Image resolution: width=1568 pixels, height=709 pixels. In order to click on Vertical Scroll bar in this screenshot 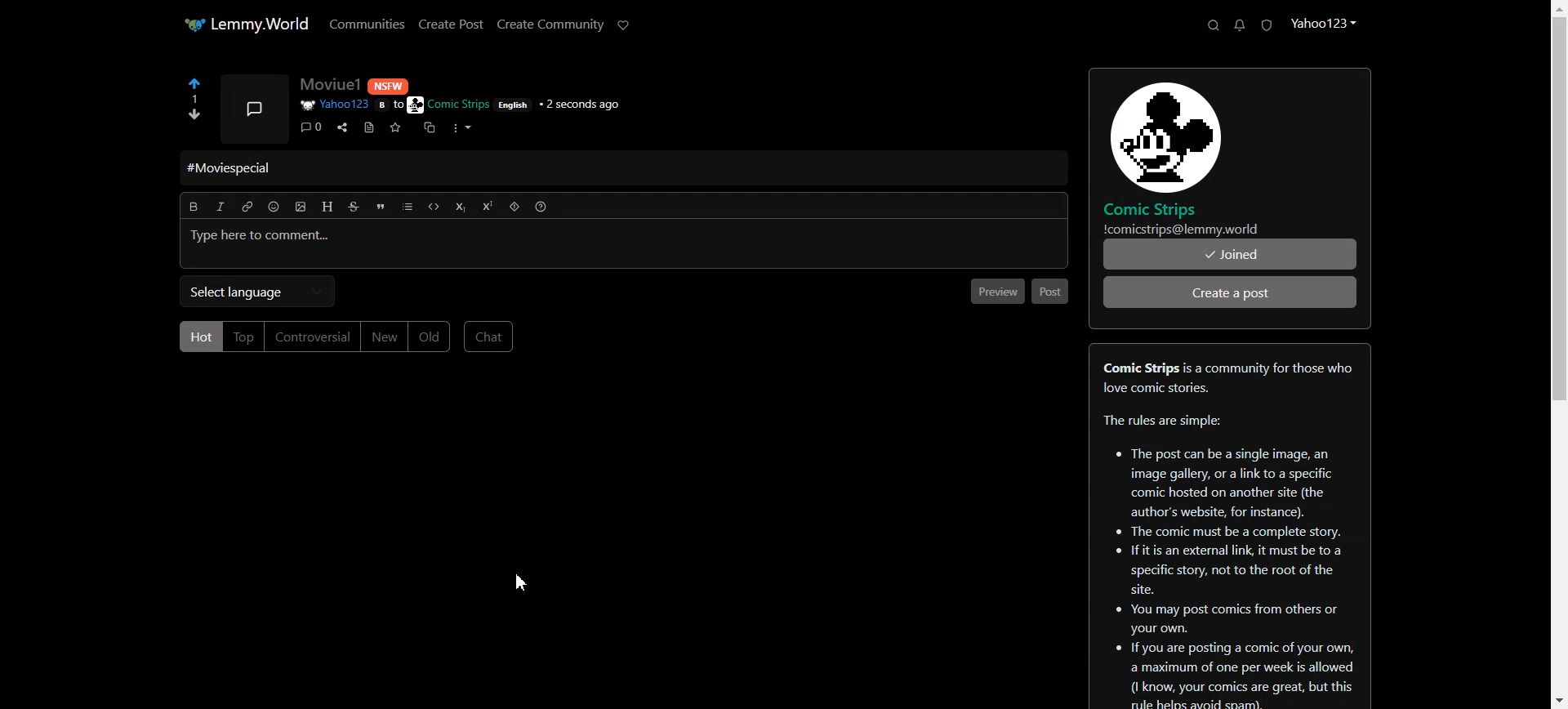, I will do `click(1558, 354)`.